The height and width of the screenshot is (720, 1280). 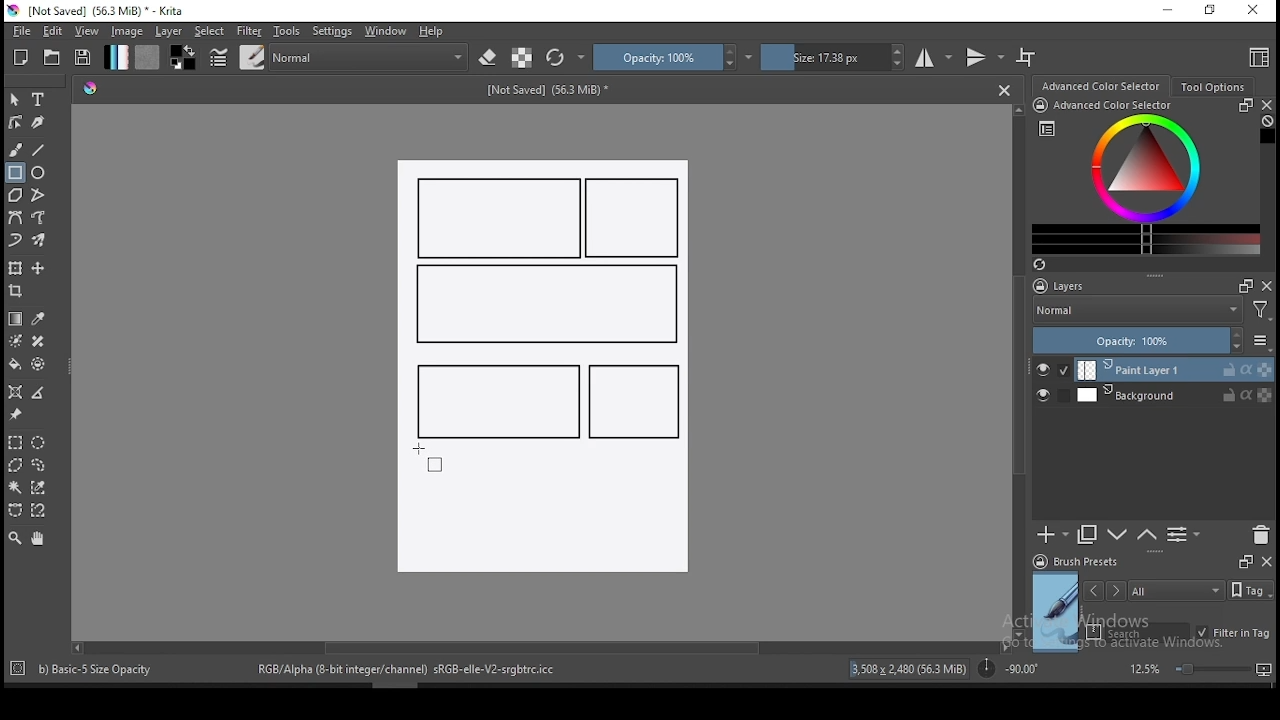 I want to click on freehand selection tool, so click(x=39, y=465).